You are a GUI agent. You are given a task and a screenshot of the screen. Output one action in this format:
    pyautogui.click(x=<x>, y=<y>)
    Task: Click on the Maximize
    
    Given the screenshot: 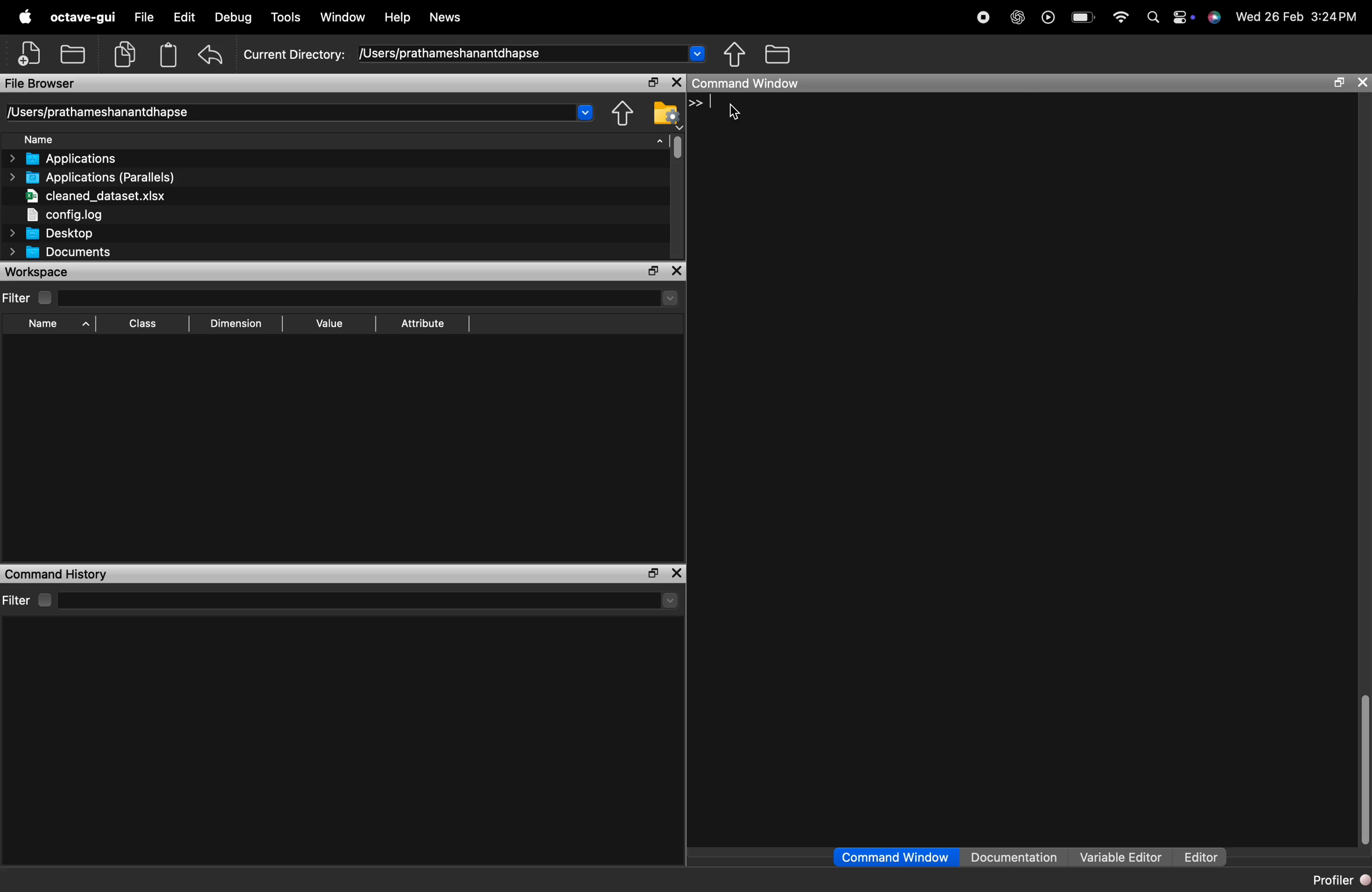 What is the action you would take?
    pyautogui.click(x=650, y=271)
    